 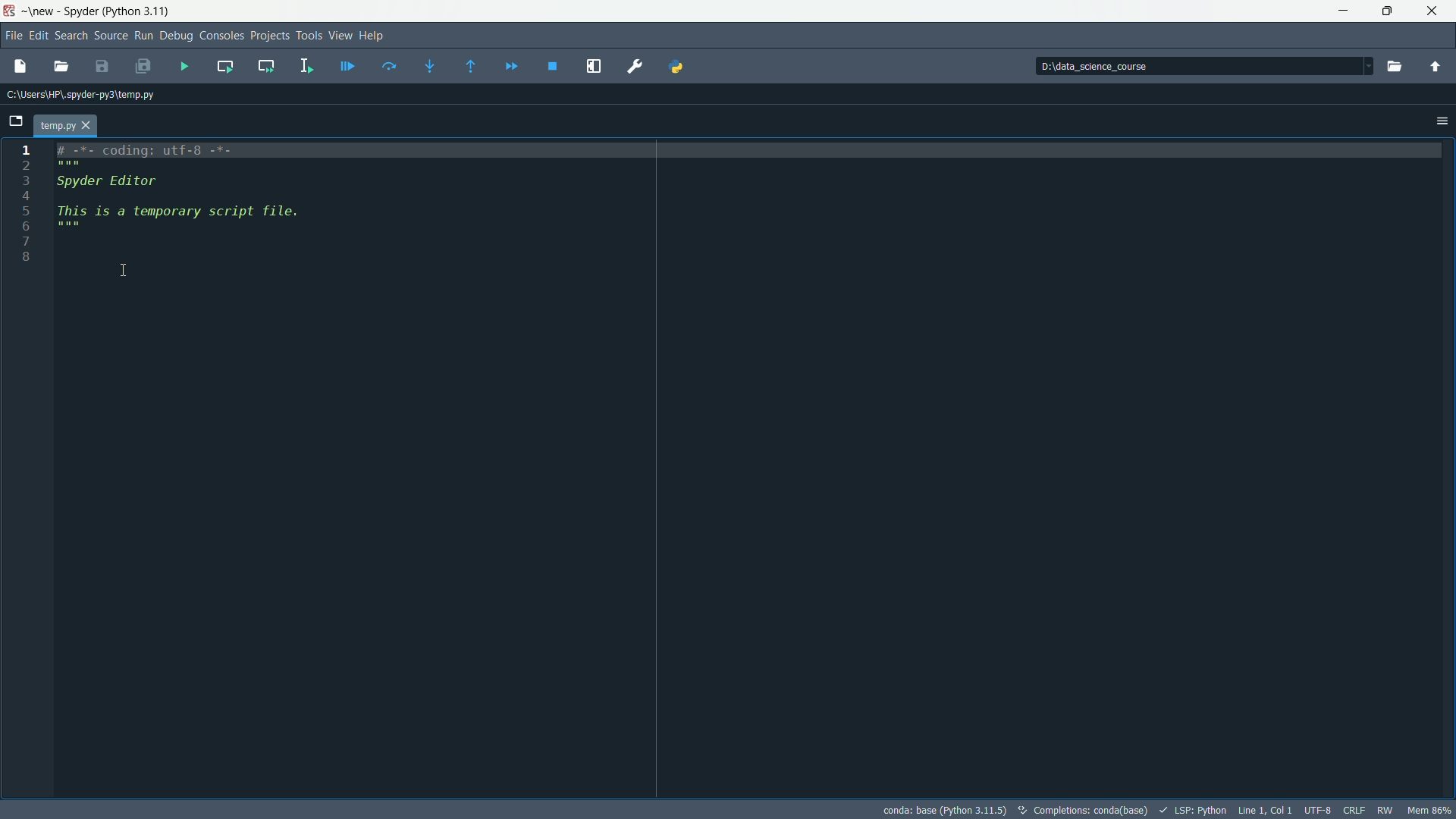 I want to click on cursor, so click(x=126, y=271).